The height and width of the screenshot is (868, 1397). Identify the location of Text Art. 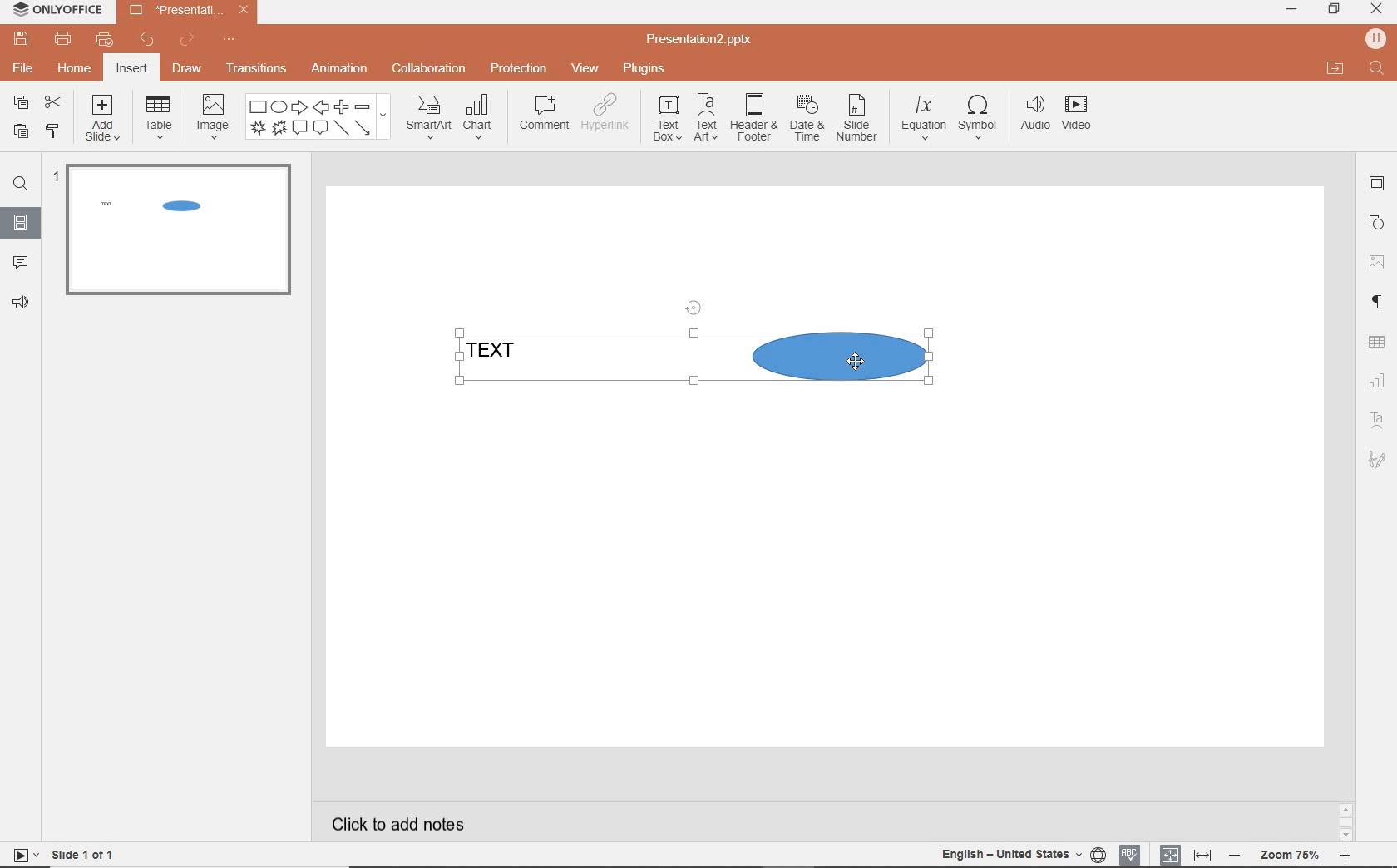
(1376, 419).